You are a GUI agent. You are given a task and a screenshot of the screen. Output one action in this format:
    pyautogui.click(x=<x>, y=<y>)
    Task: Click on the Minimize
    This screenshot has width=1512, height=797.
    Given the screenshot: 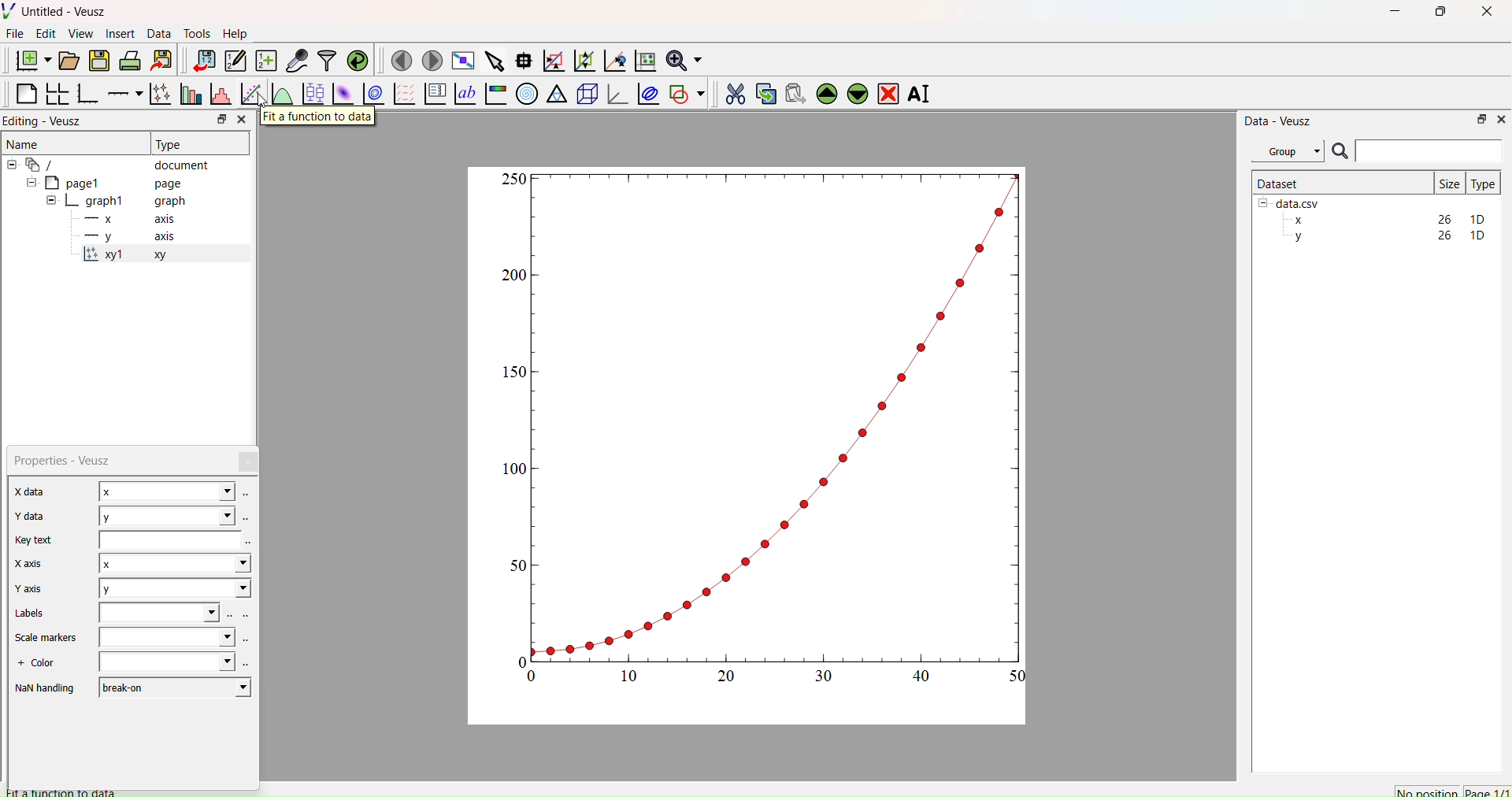 What is the action you would take?
    pyautogui.click(x=1395, y=15)
    